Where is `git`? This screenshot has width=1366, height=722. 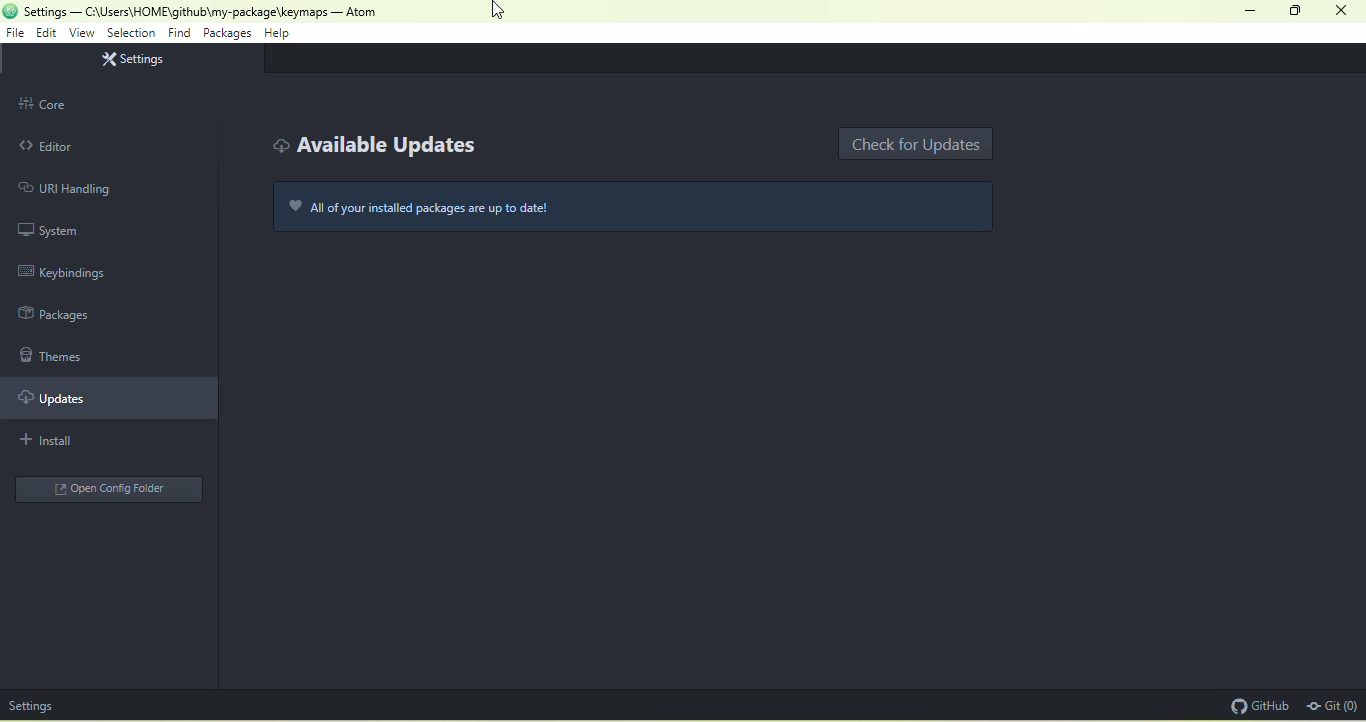
git is located at coordinates (1332, 707).